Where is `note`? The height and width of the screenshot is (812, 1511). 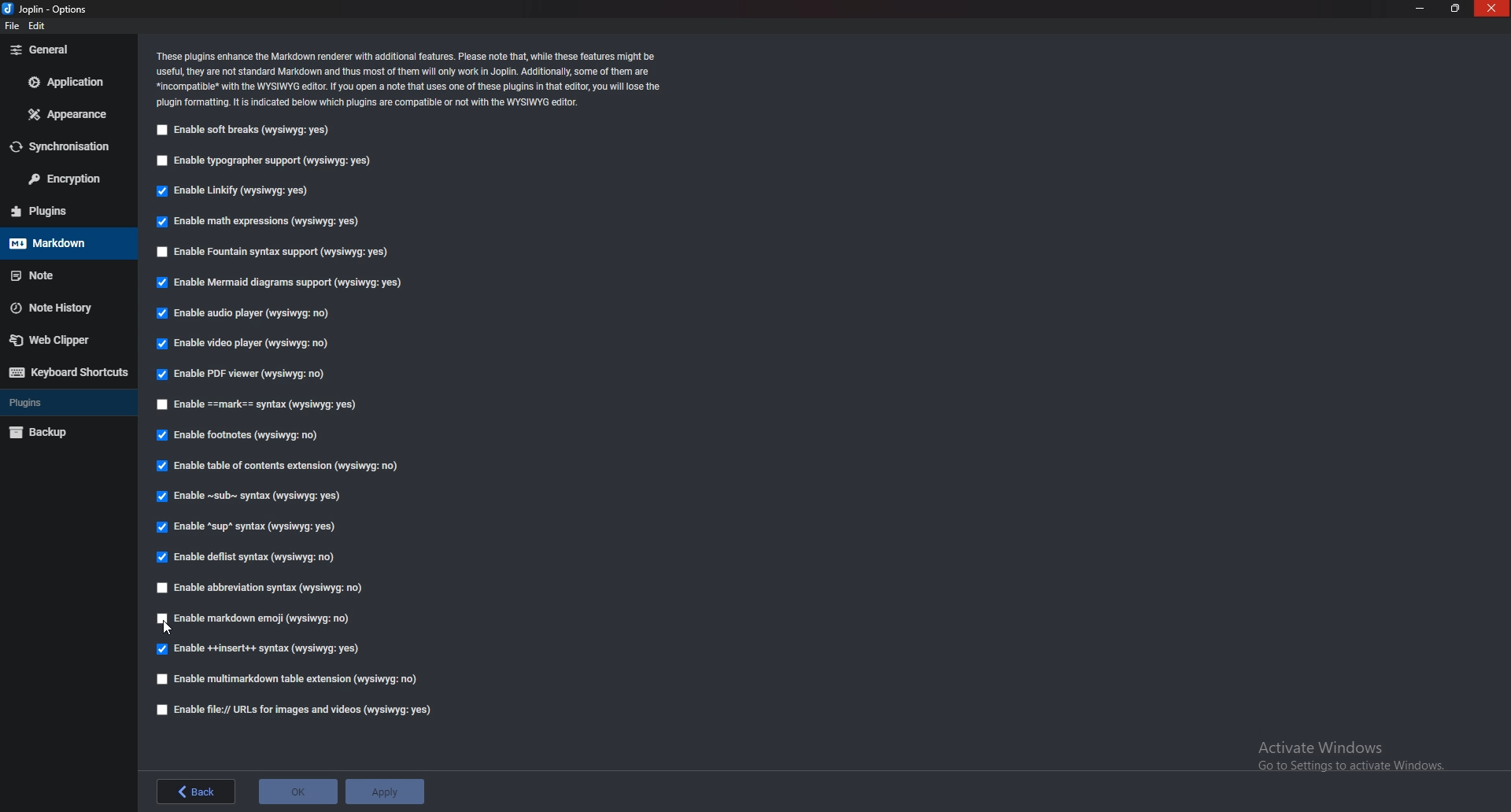
note is located at coordinates (64, 277).